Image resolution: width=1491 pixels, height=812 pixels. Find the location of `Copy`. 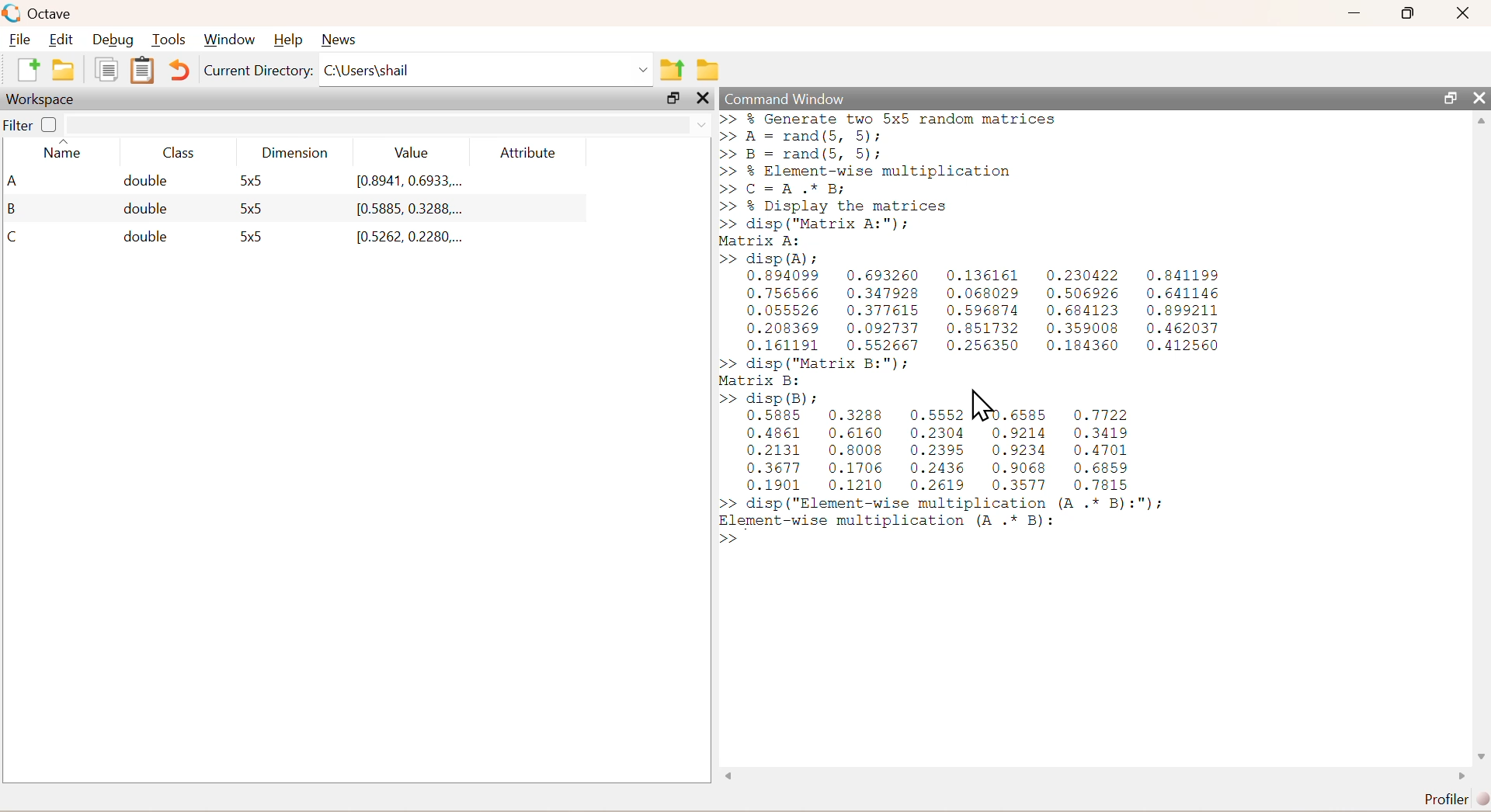

Copy is located at coordinates (106, 75).